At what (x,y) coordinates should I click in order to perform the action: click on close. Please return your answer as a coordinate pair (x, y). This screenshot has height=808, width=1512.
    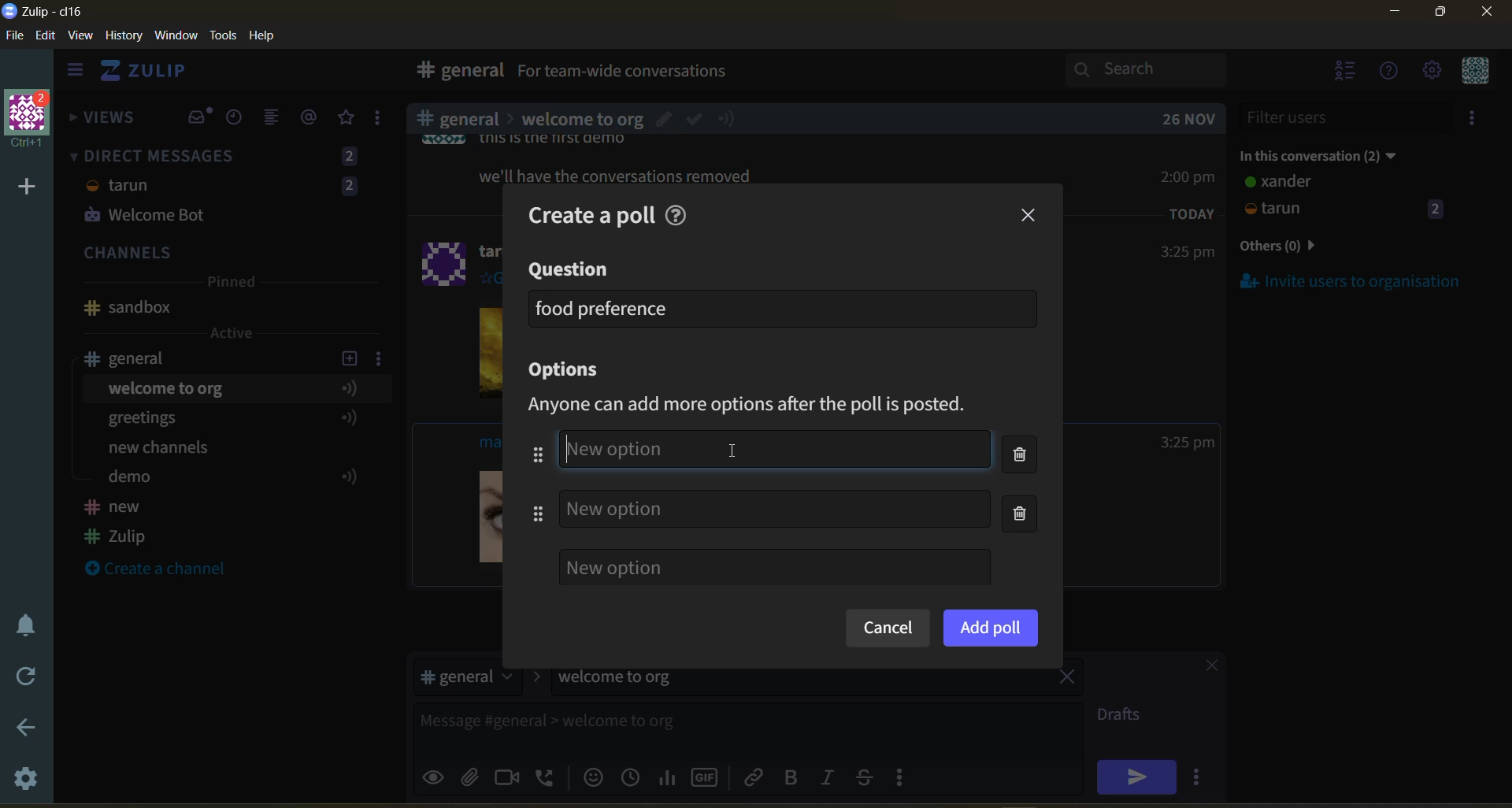
    Looking at the image, I should click on (1204, 668).